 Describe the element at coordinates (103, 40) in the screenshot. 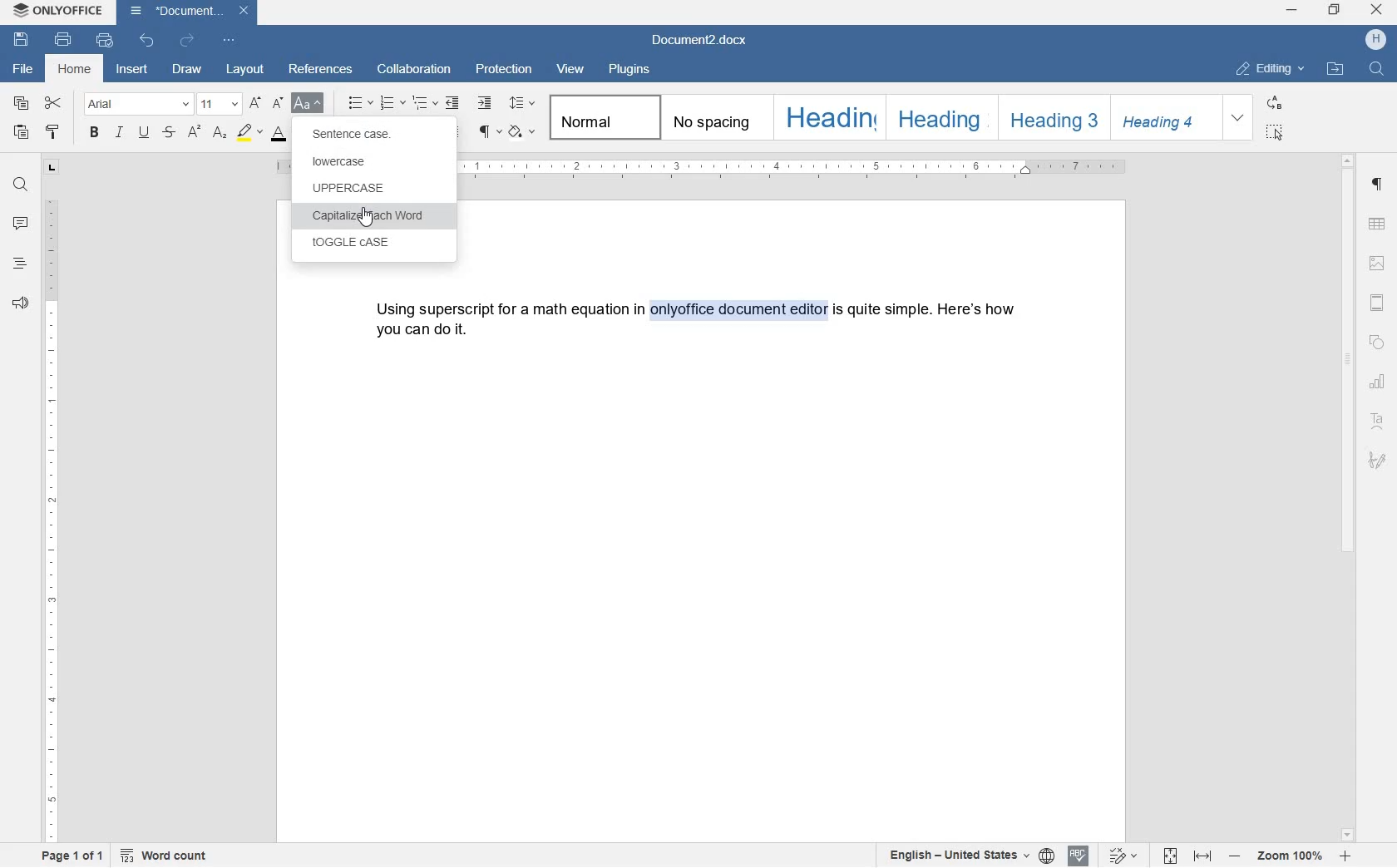

I see `quick print` at that location.